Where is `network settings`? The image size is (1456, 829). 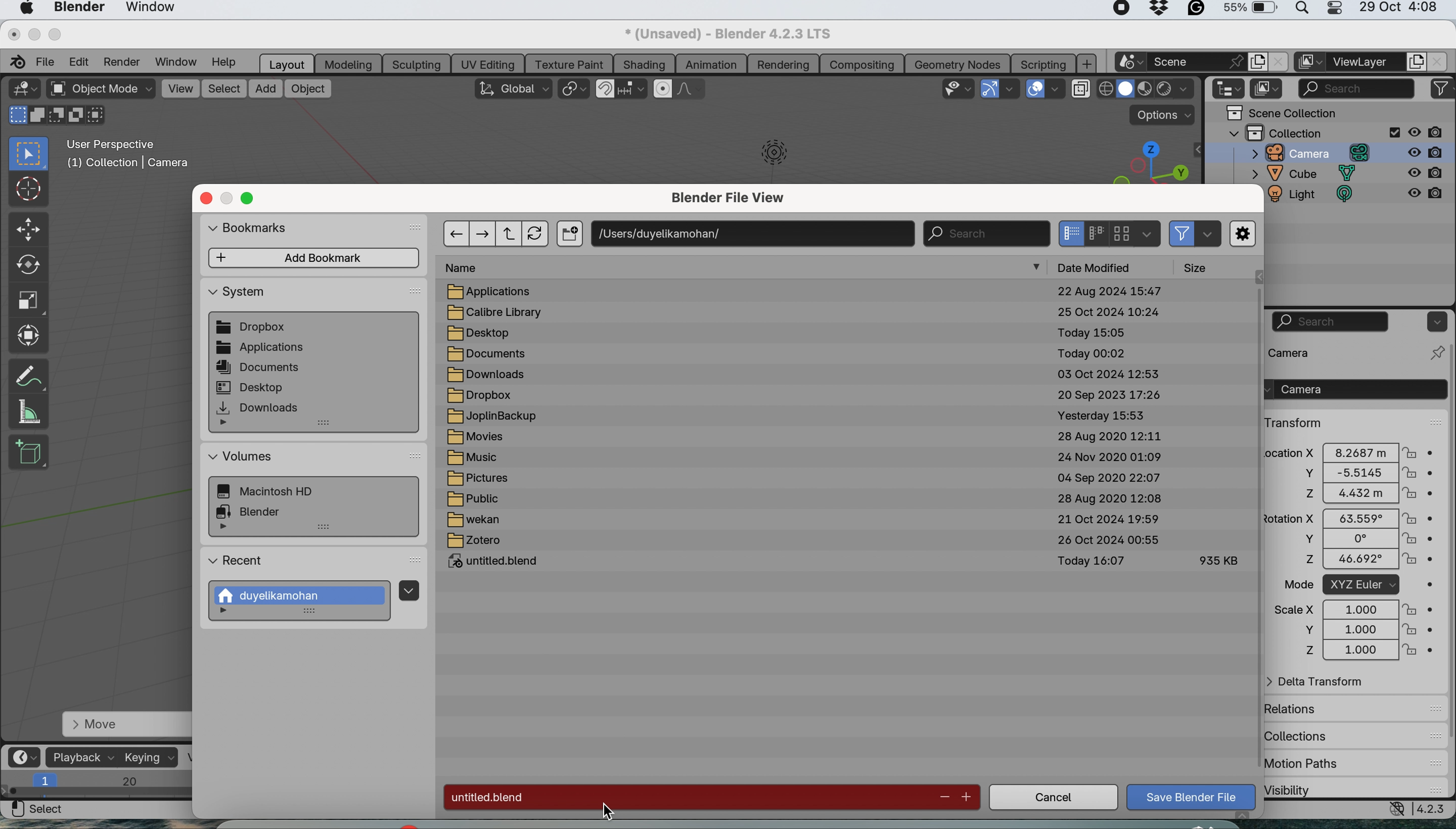
network settings is located at coordinates (1395, 810).